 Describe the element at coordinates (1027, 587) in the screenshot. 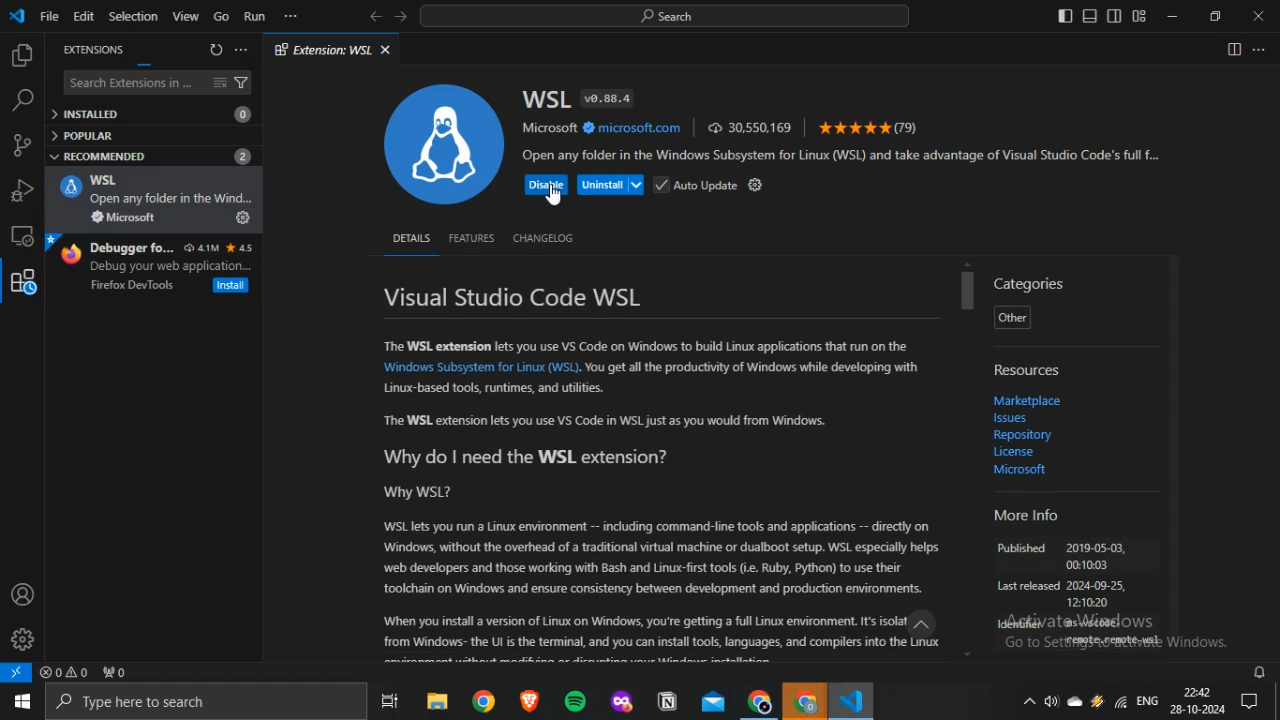

I see `Last released` at that location.